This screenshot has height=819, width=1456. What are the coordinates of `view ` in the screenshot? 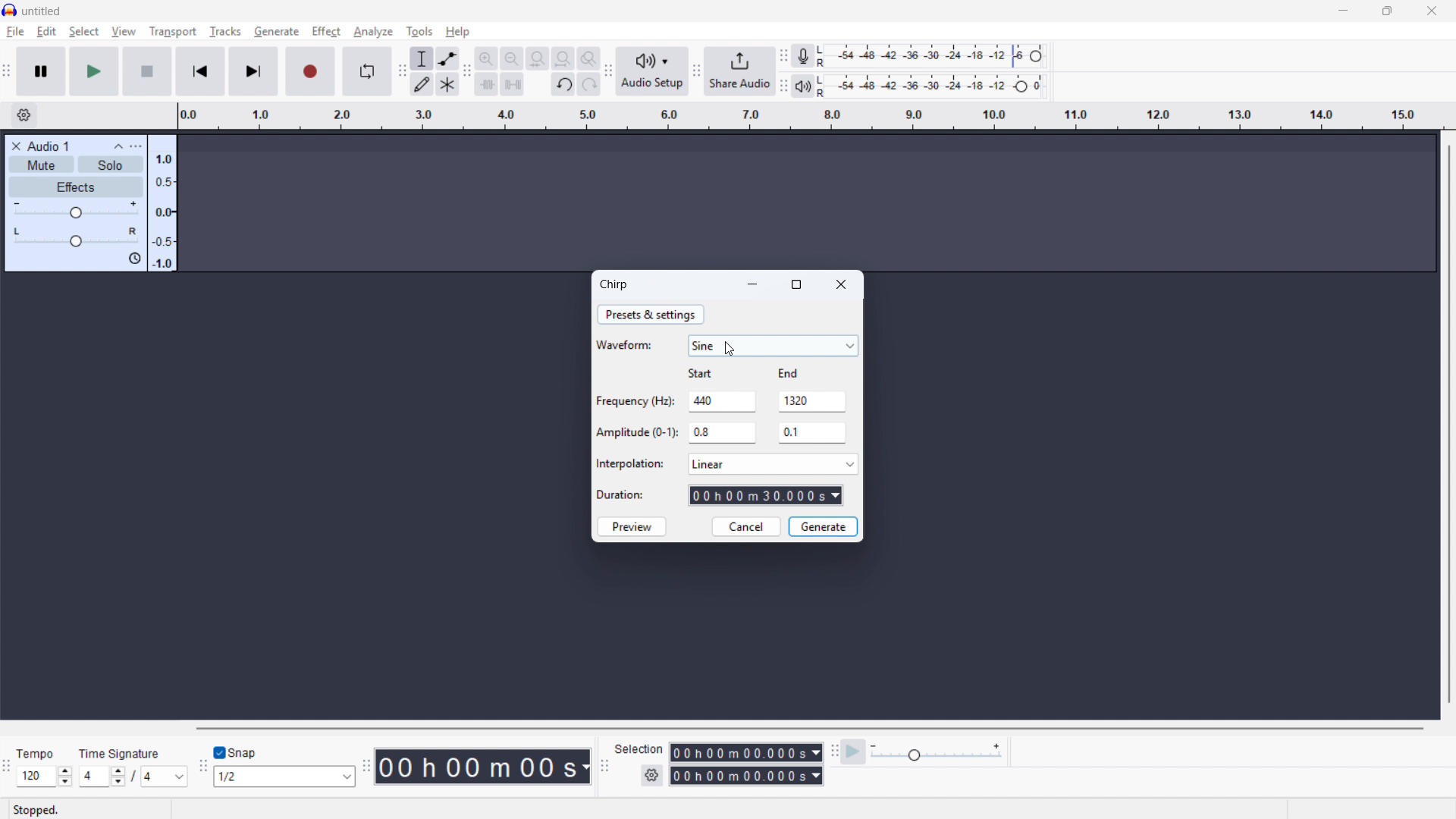 It's located at (124, 32).